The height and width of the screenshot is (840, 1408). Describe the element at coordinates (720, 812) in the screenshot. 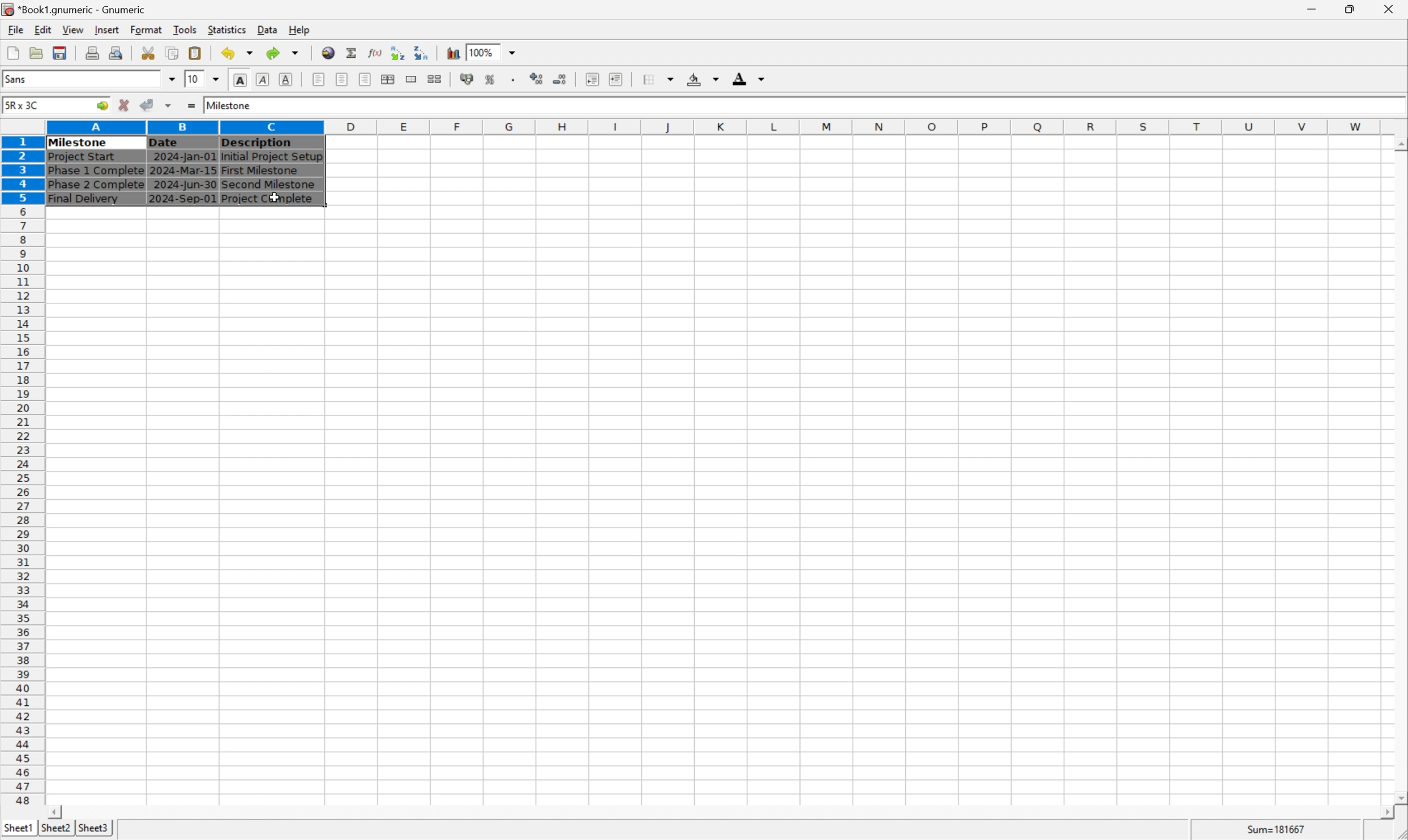

I see `scroll bar` at that location.